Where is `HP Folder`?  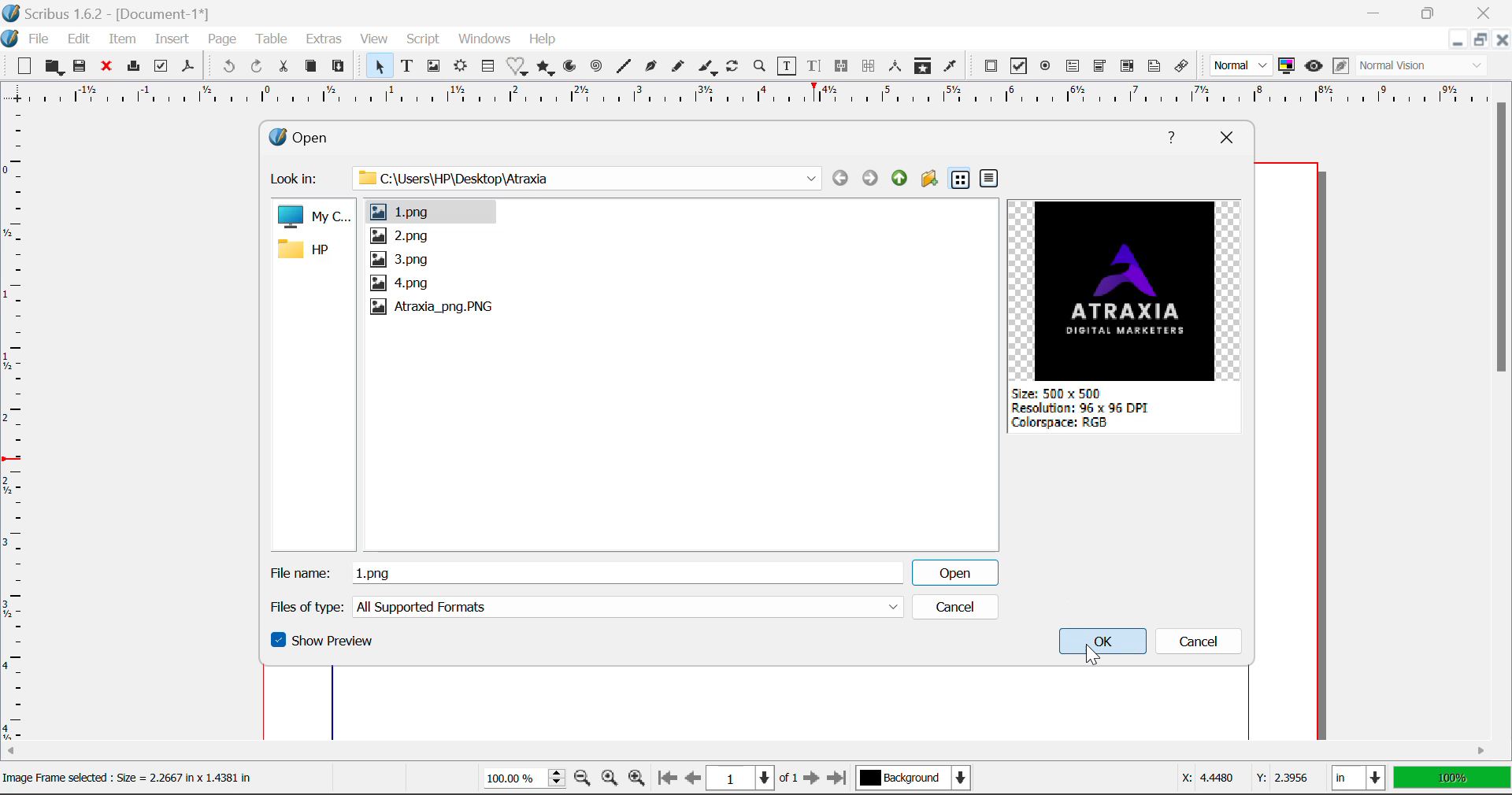
HP Folder is located at coordinates (311, 251).